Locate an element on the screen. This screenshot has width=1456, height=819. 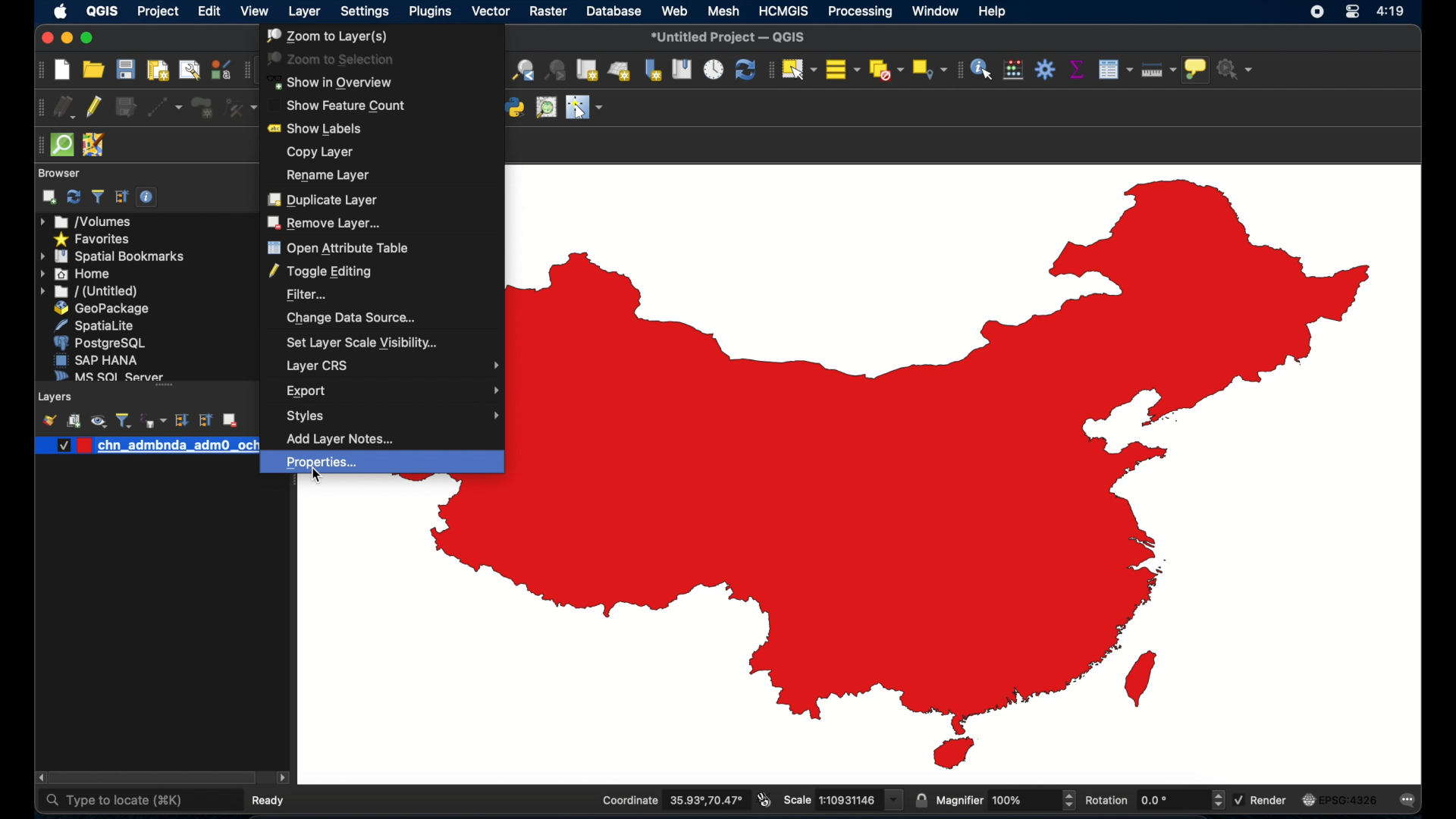
temporal controller panel is located at coordinates (711, 71).